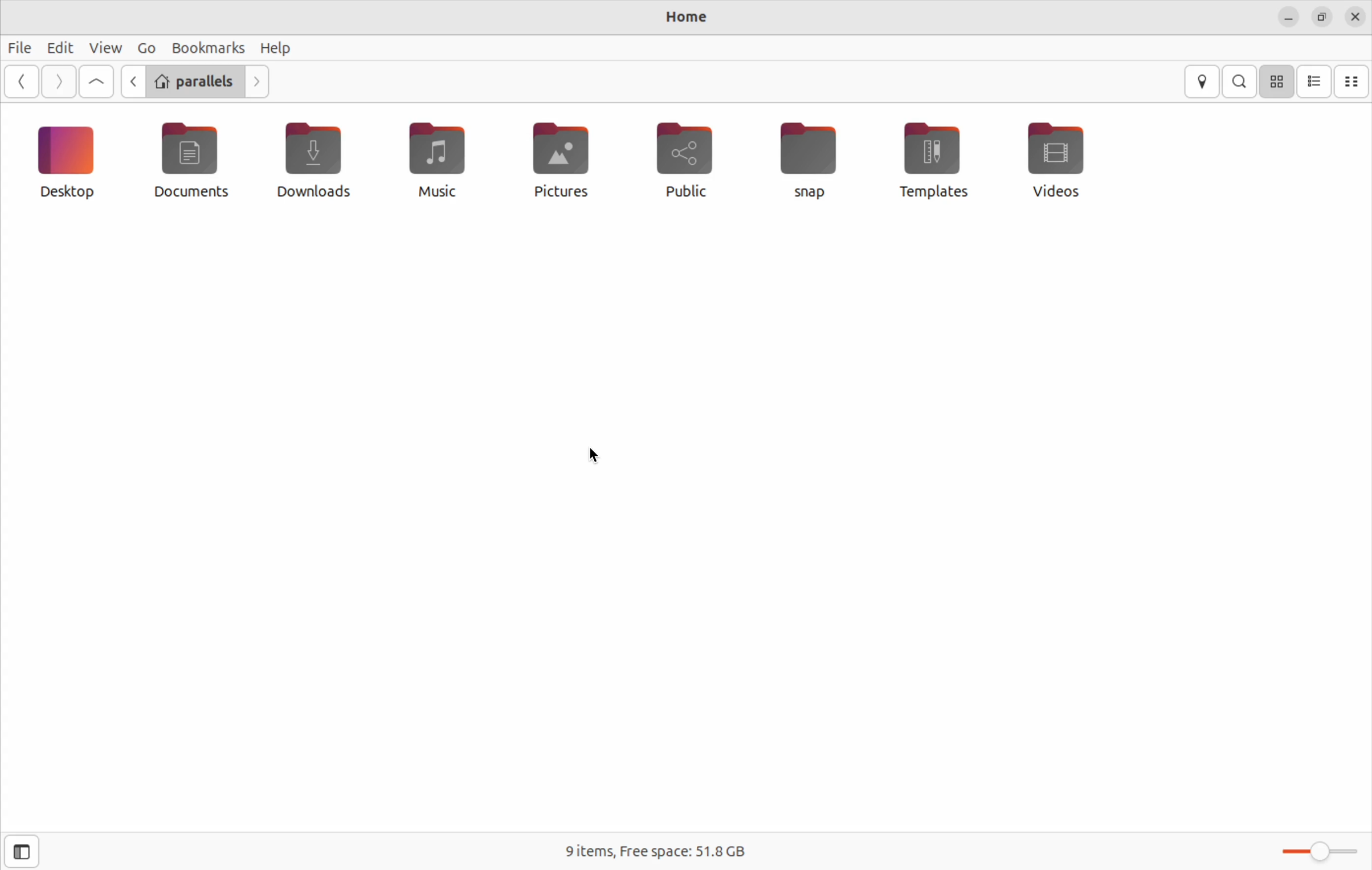 This screenshot has height=870, width=1372. What do you see at coordinates (22, 852) in the screenshot?
I see `open side bar` at bounding box center [22, 852].